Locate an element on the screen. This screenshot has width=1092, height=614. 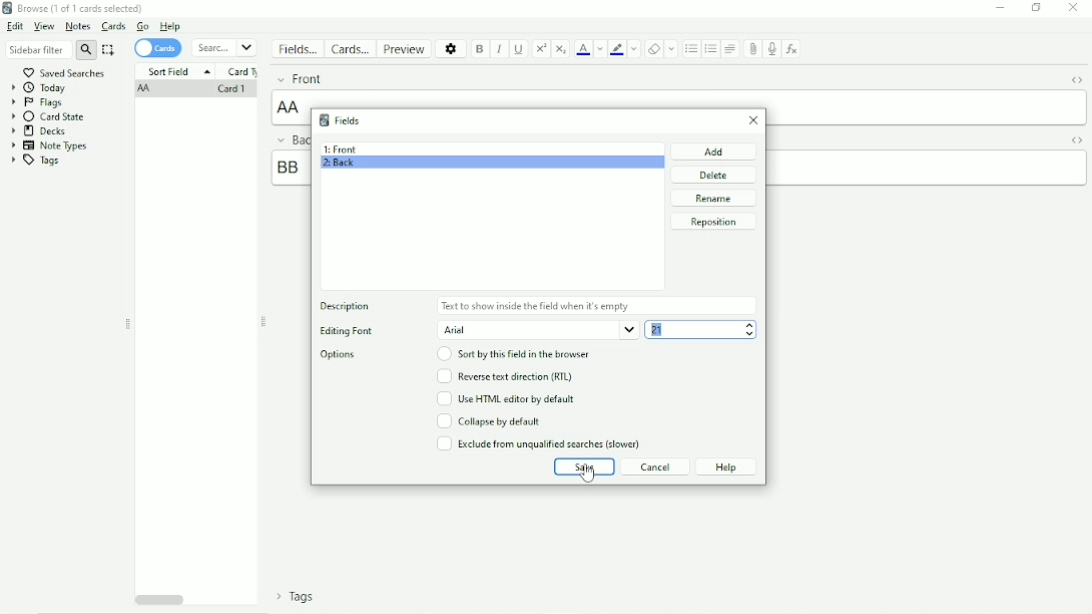
Back is located at coordinates (289, 139).